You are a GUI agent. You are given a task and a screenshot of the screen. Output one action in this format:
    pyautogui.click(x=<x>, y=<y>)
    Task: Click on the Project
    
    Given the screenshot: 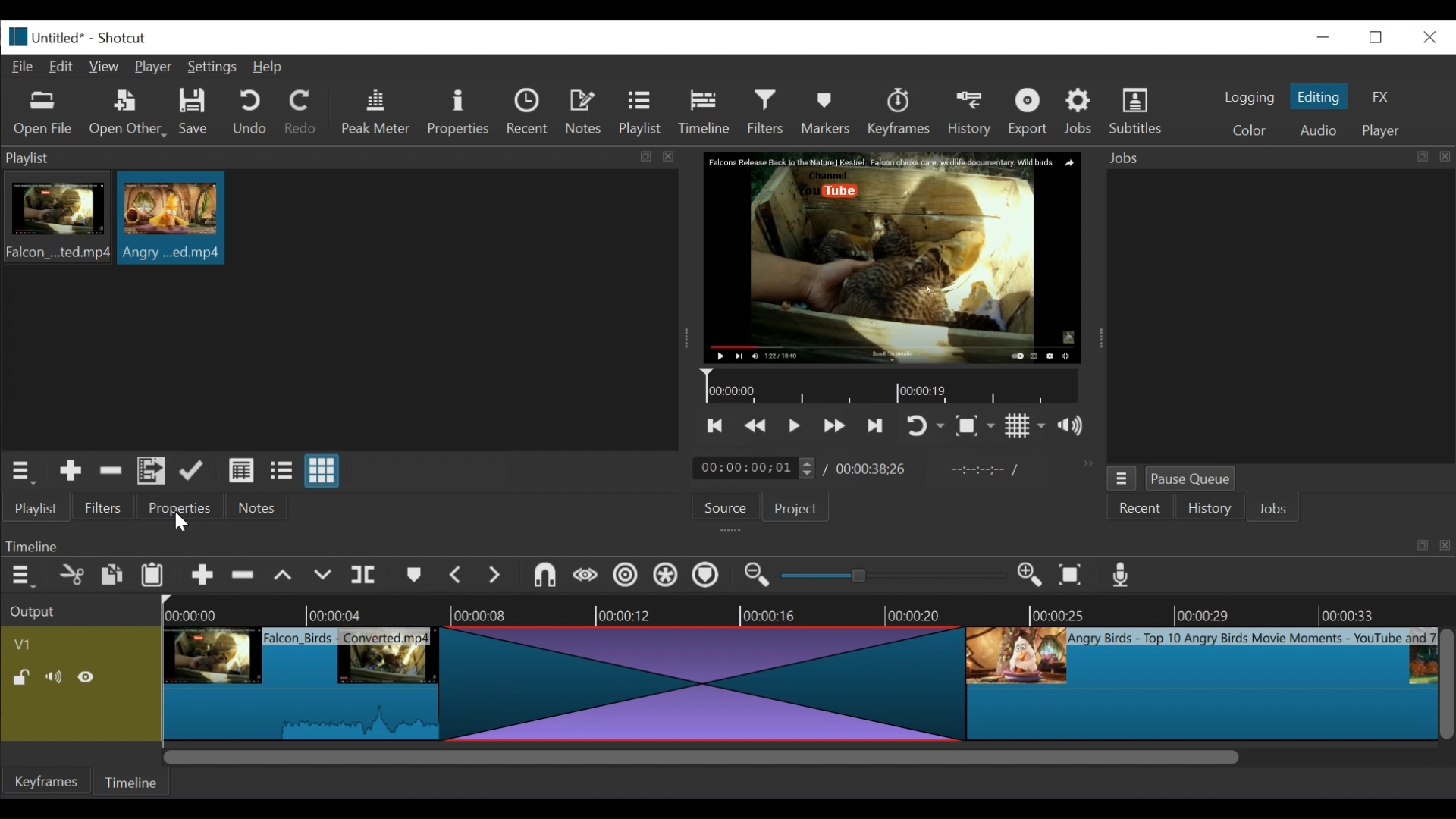 What is the action you would take?
    pyautogui.click(x=793, y=510)
    